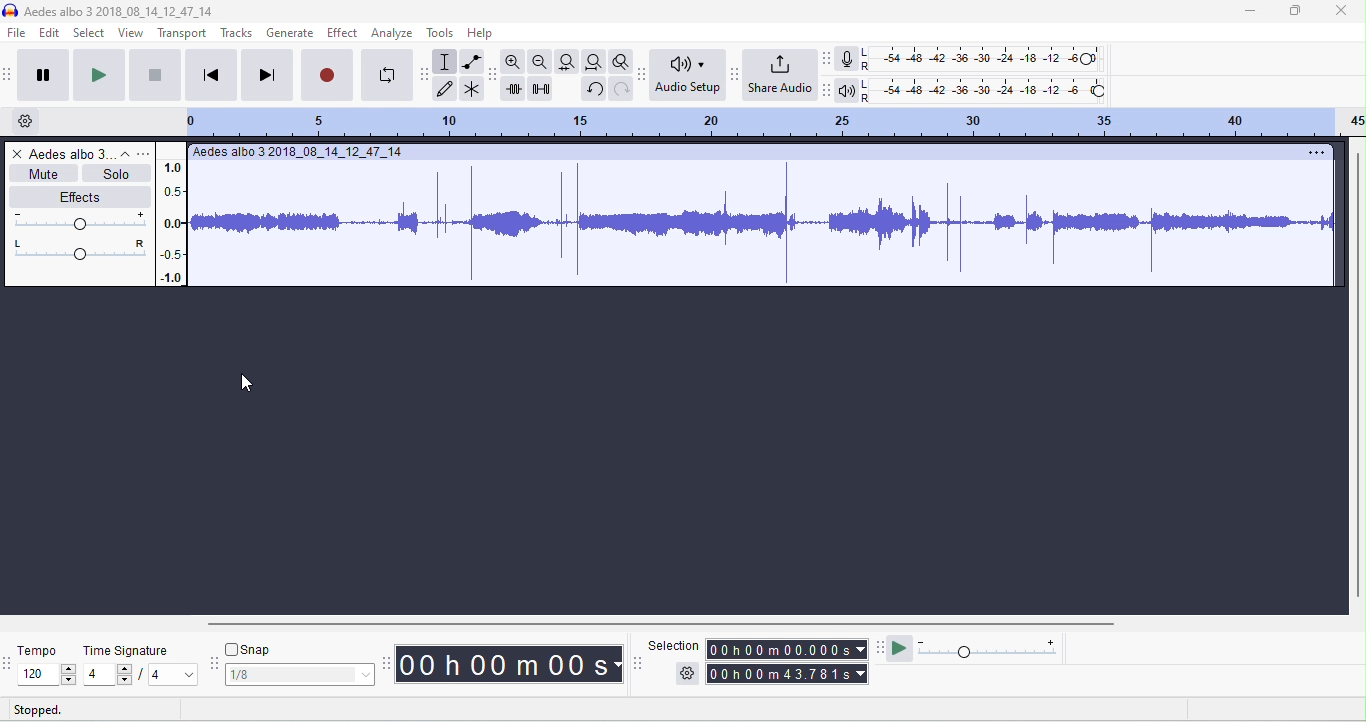  What do you see at coordinates (50, 32) in the screenshot?
I see `edit` at bounding box center [50, 32].